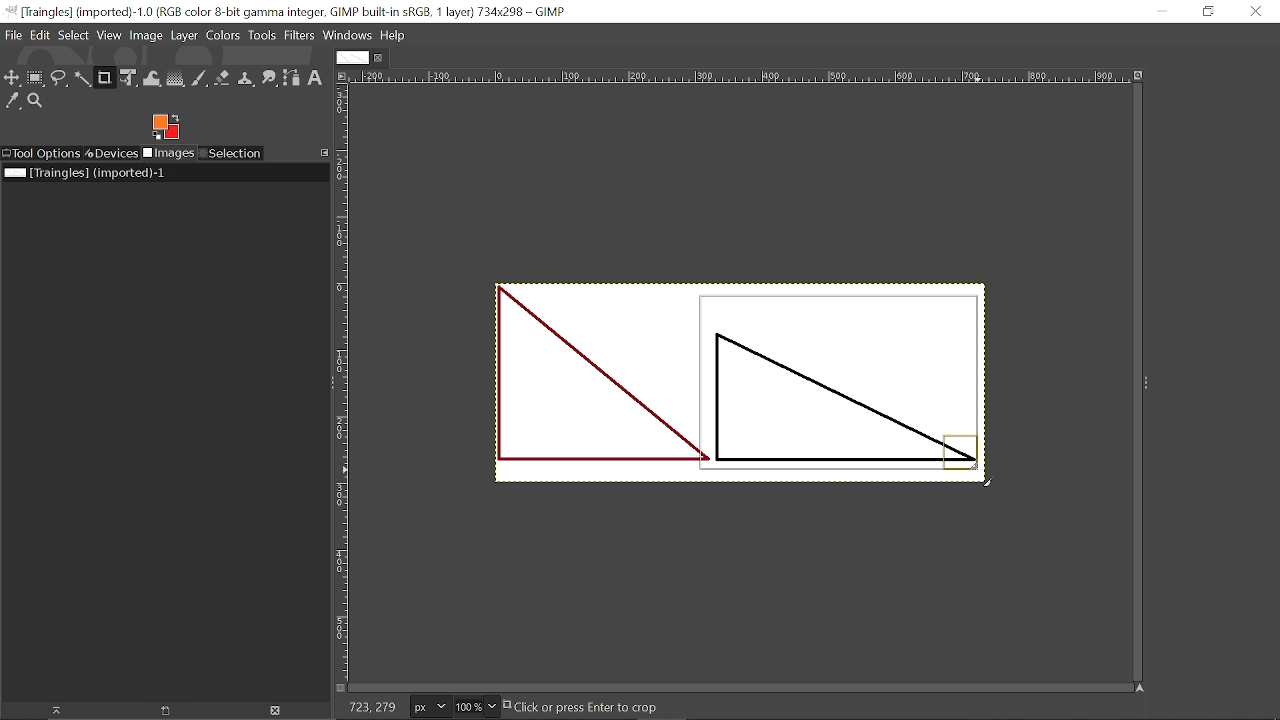 Image resolution: width=1280 pixels, height=720 pixels. I want to click on Zoom took, so click(36, 101).